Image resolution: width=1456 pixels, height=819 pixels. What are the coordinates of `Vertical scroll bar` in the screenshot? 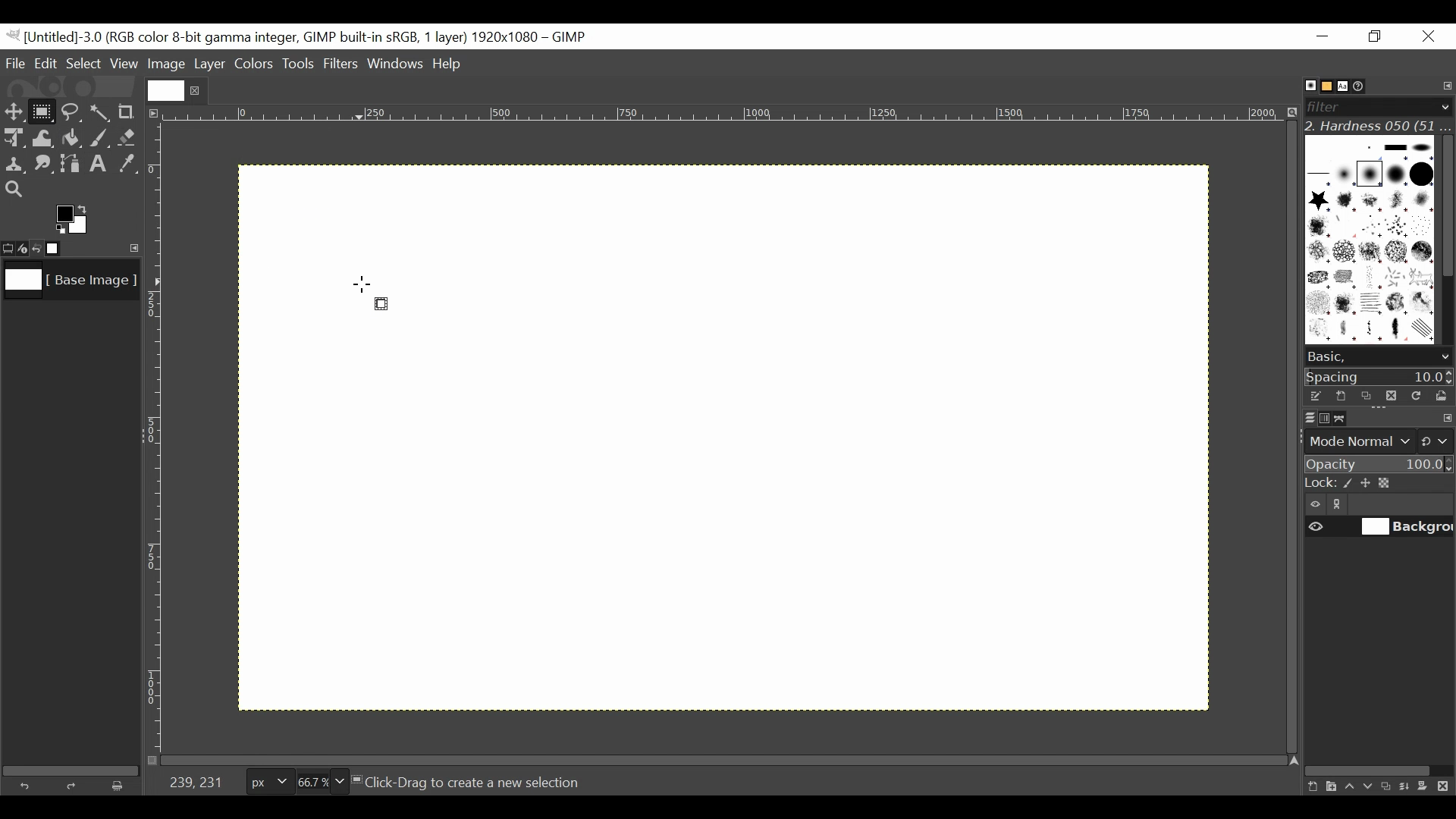 It's located at (1447, 204).